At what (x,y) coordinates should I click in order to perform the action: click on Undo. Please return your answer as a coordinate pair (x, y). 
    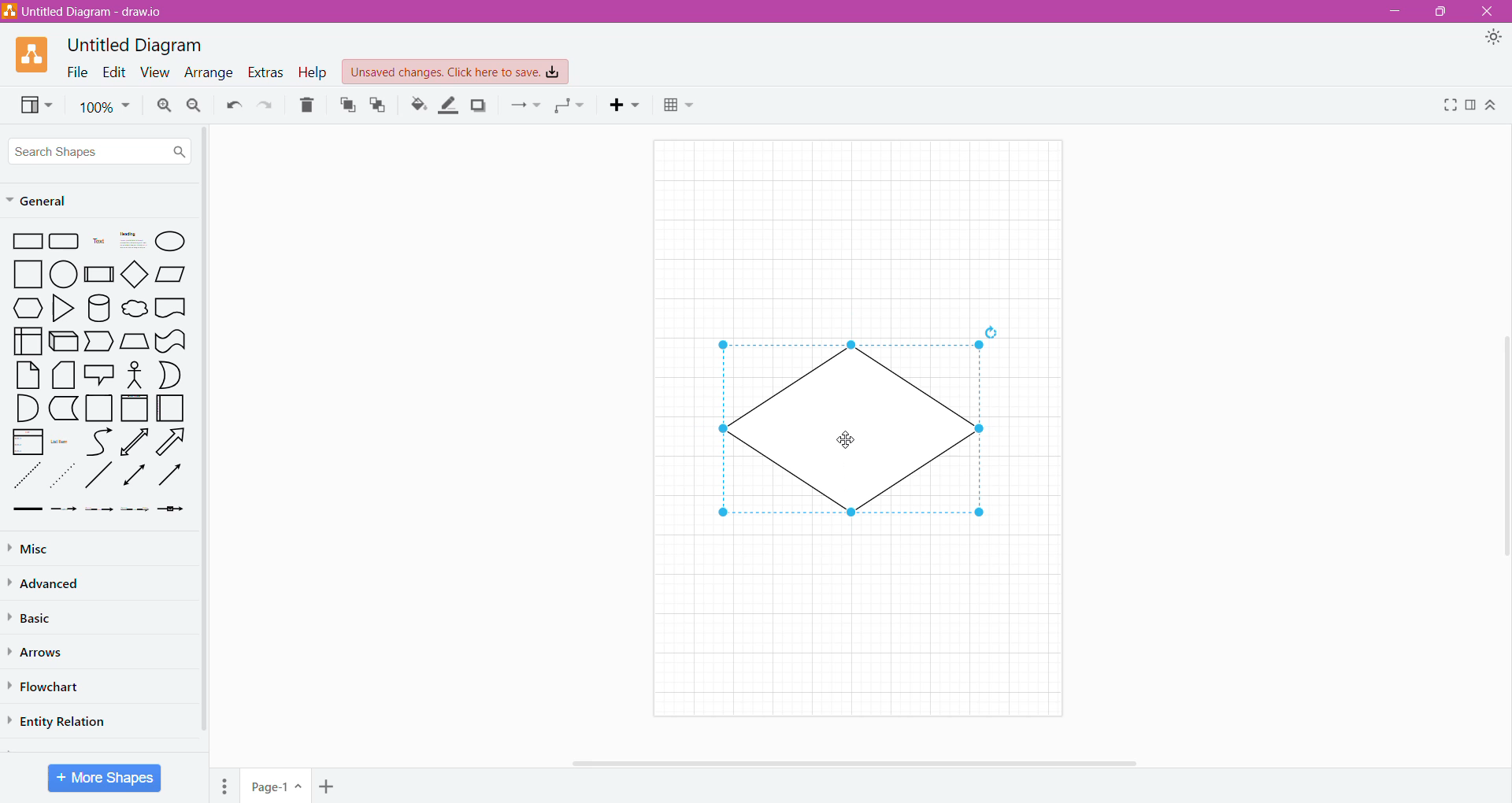
    Looking at the image, I should click on (232, 105).